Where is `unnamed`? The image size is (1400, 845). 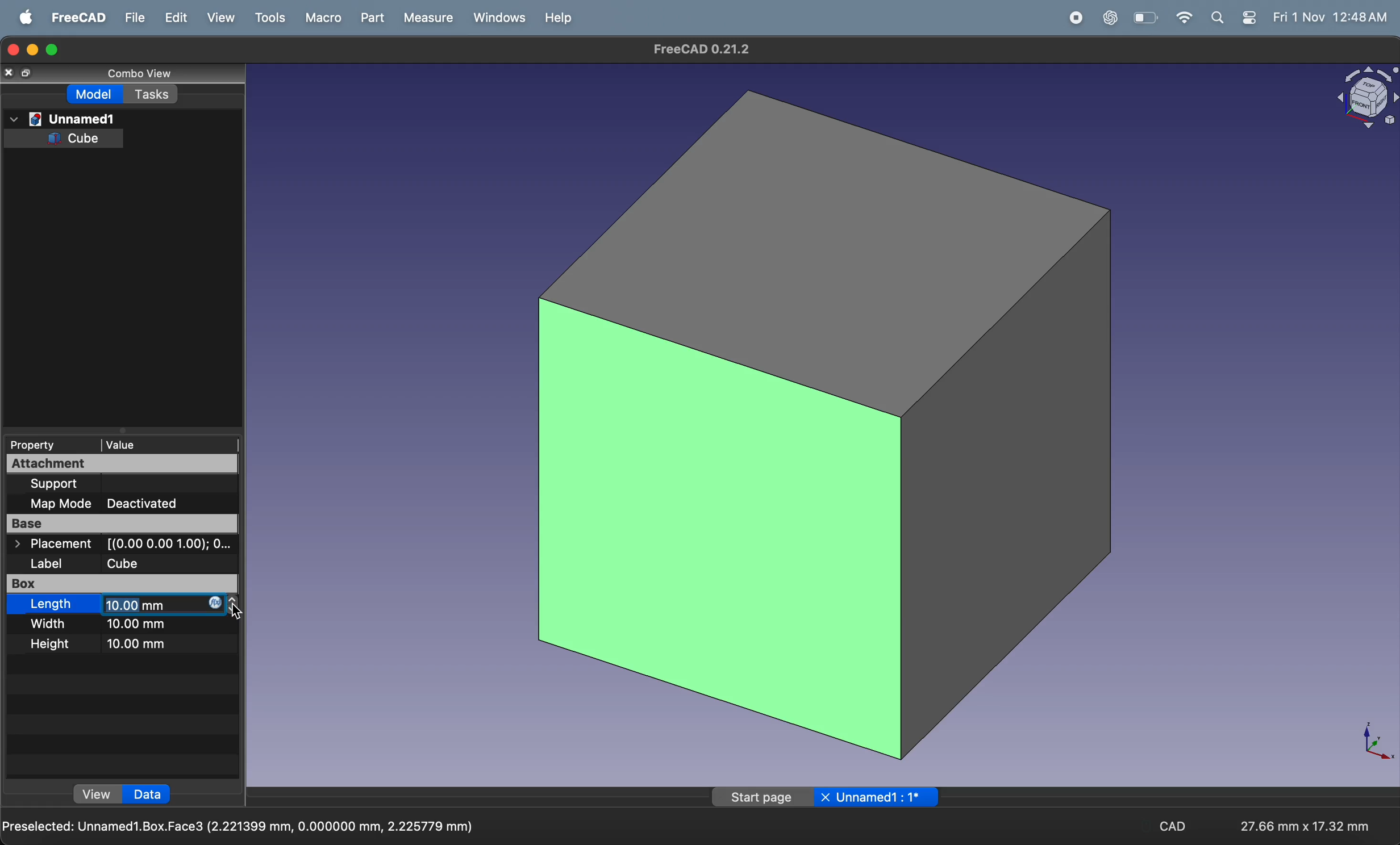 unnamed is located at coordinates (63, 118).